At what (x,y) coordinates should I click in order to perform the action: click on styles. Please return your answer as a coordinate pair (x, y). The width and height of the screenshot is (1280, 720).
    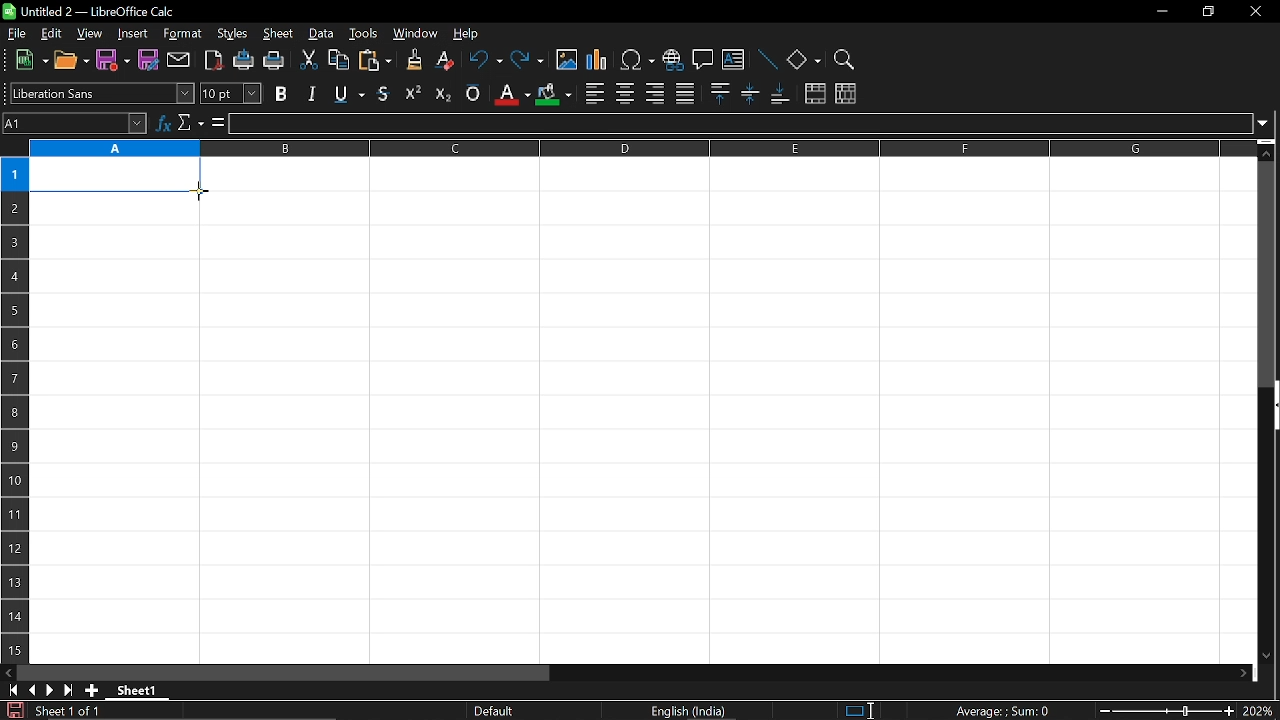
    Looking at the image, I should click on (232, 35).